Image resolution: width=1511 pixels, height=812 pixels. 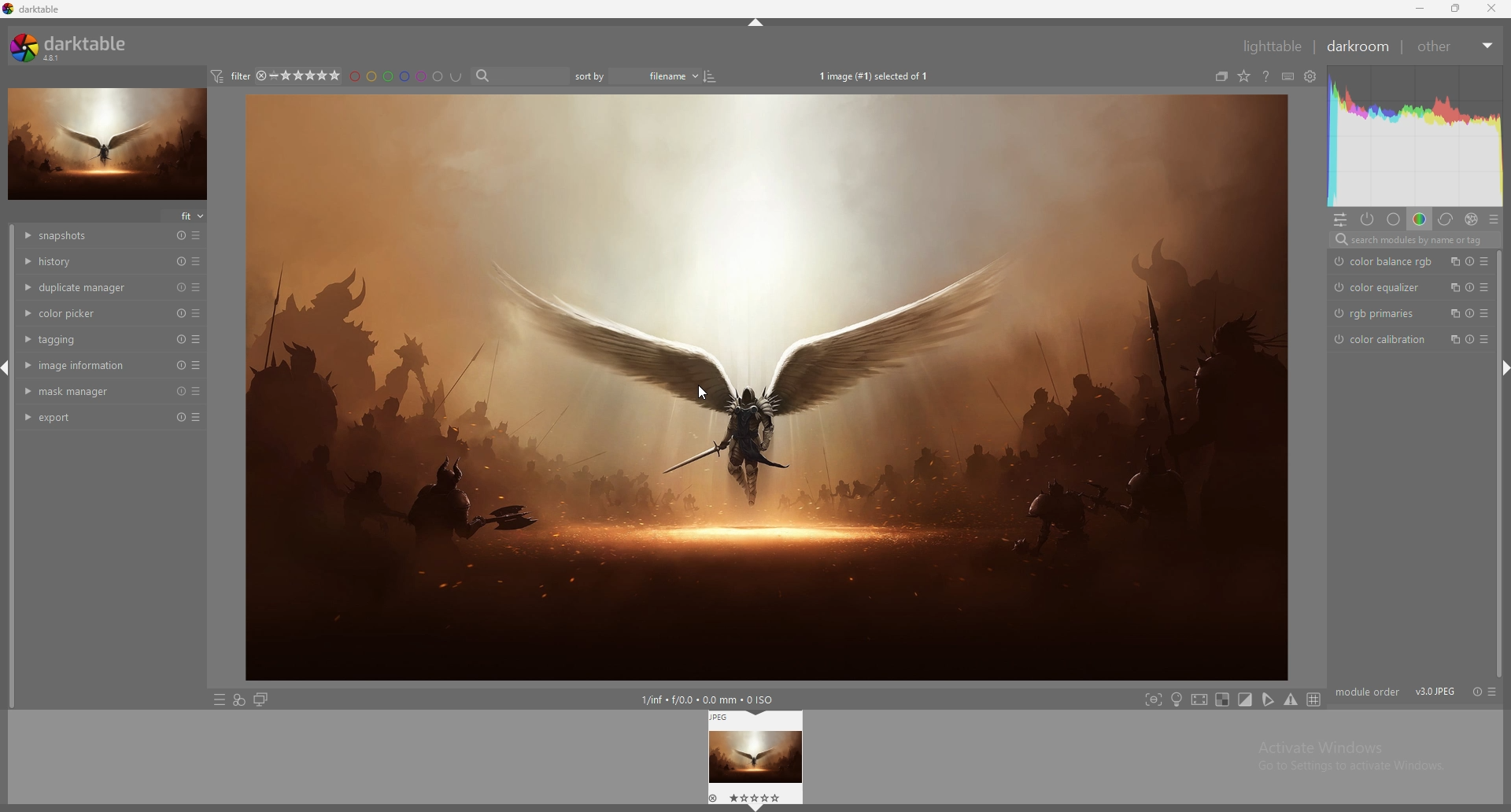 I want to click on star rating, so click(x=311, y=76).